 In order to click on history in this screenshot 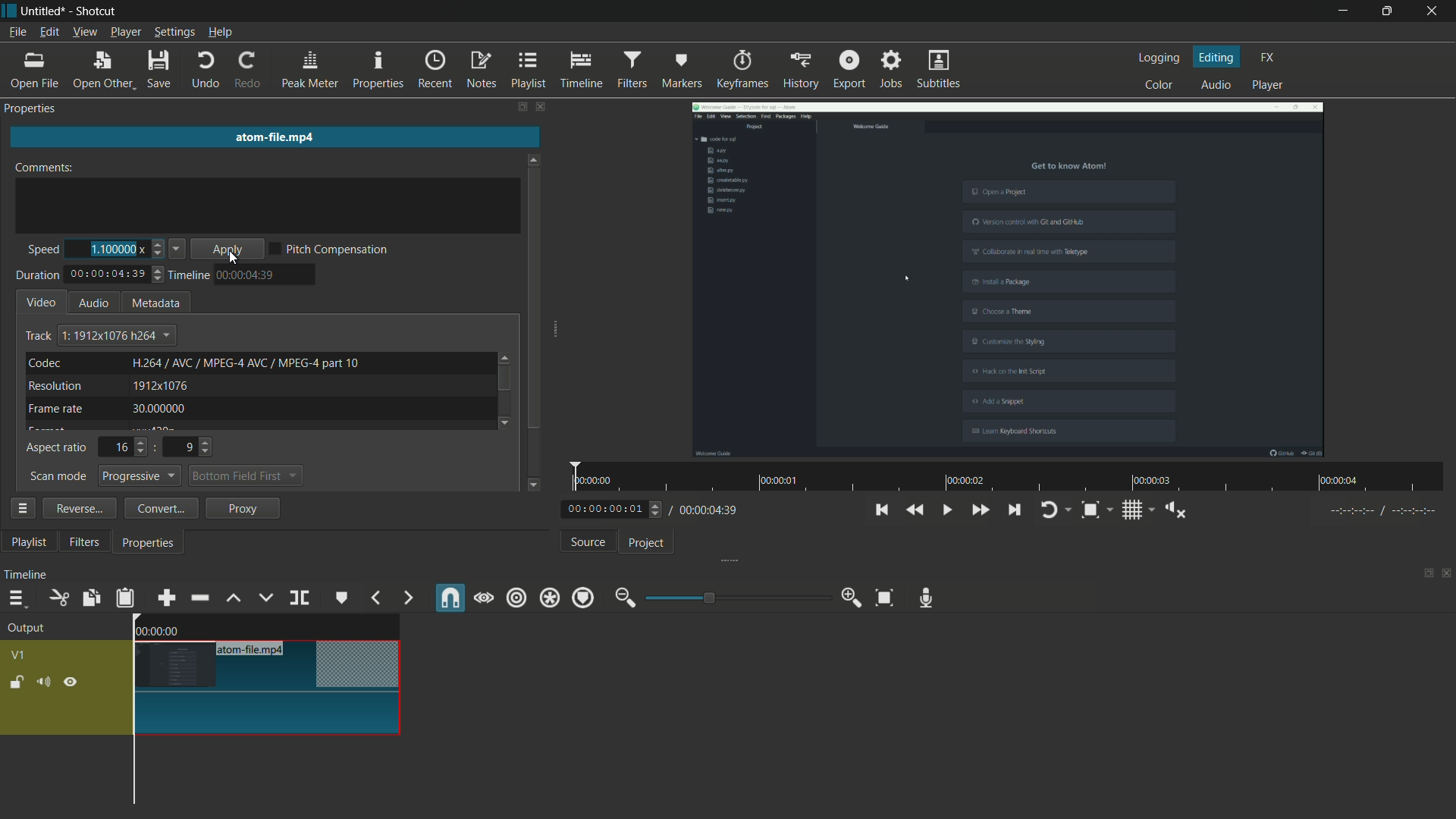, I will do `click(801, 70)`.